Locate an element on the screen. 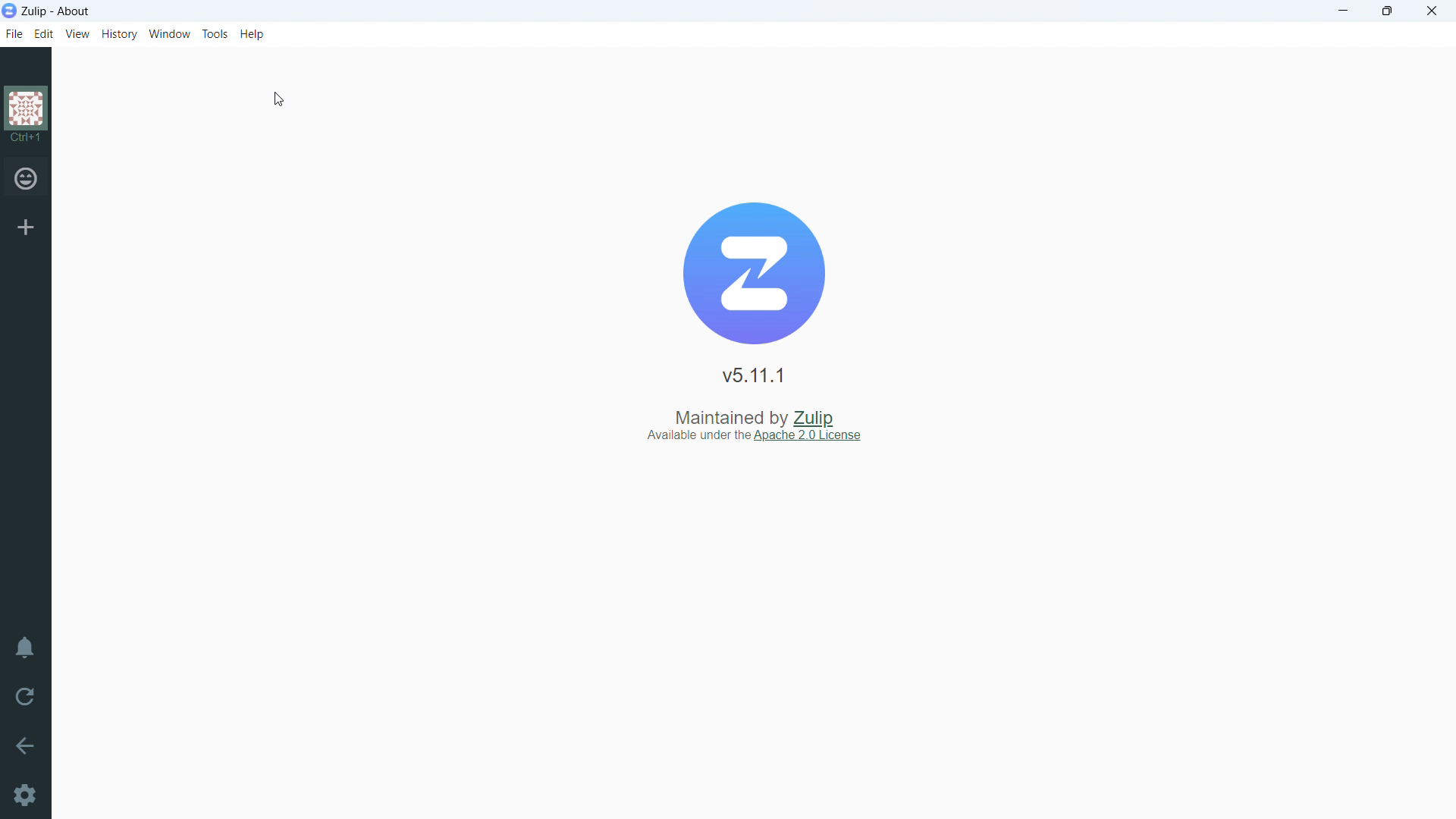 The width and height of the screenshot is (1456, 819). reload is located at coordinates (24, 695).